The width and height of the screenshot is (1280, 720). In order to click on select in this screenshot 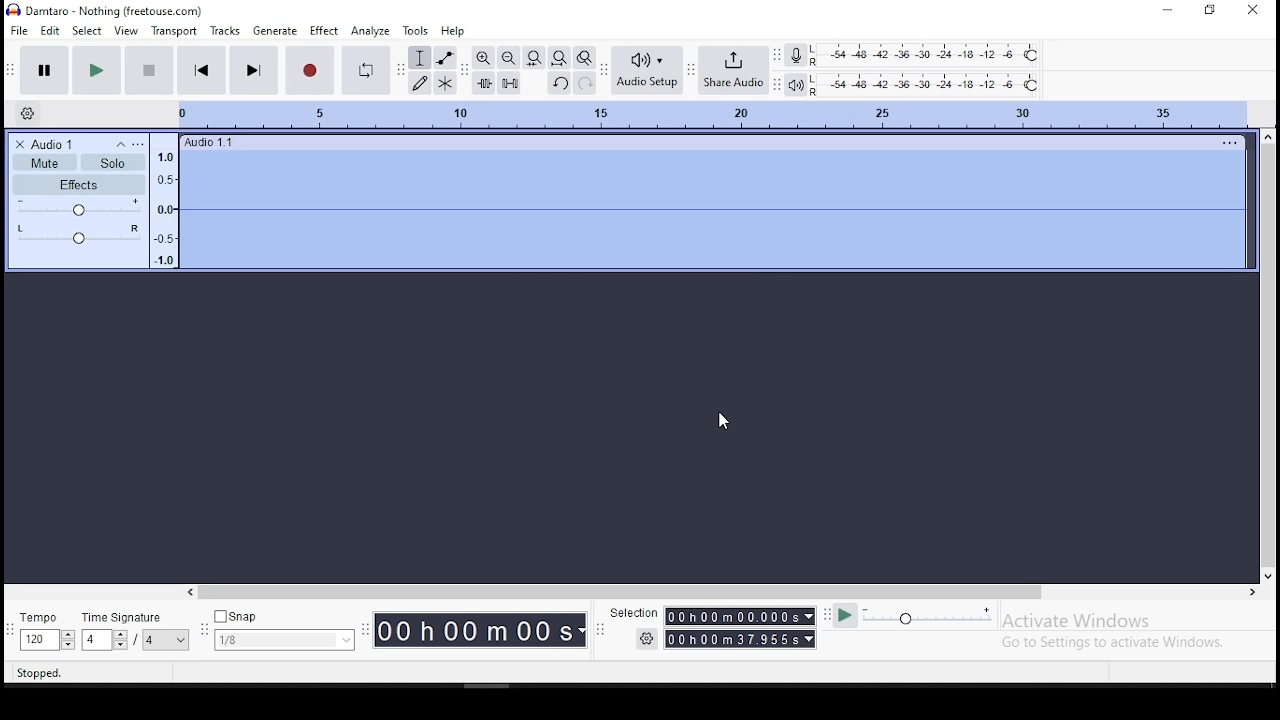, I will do `click(89, 31)`.